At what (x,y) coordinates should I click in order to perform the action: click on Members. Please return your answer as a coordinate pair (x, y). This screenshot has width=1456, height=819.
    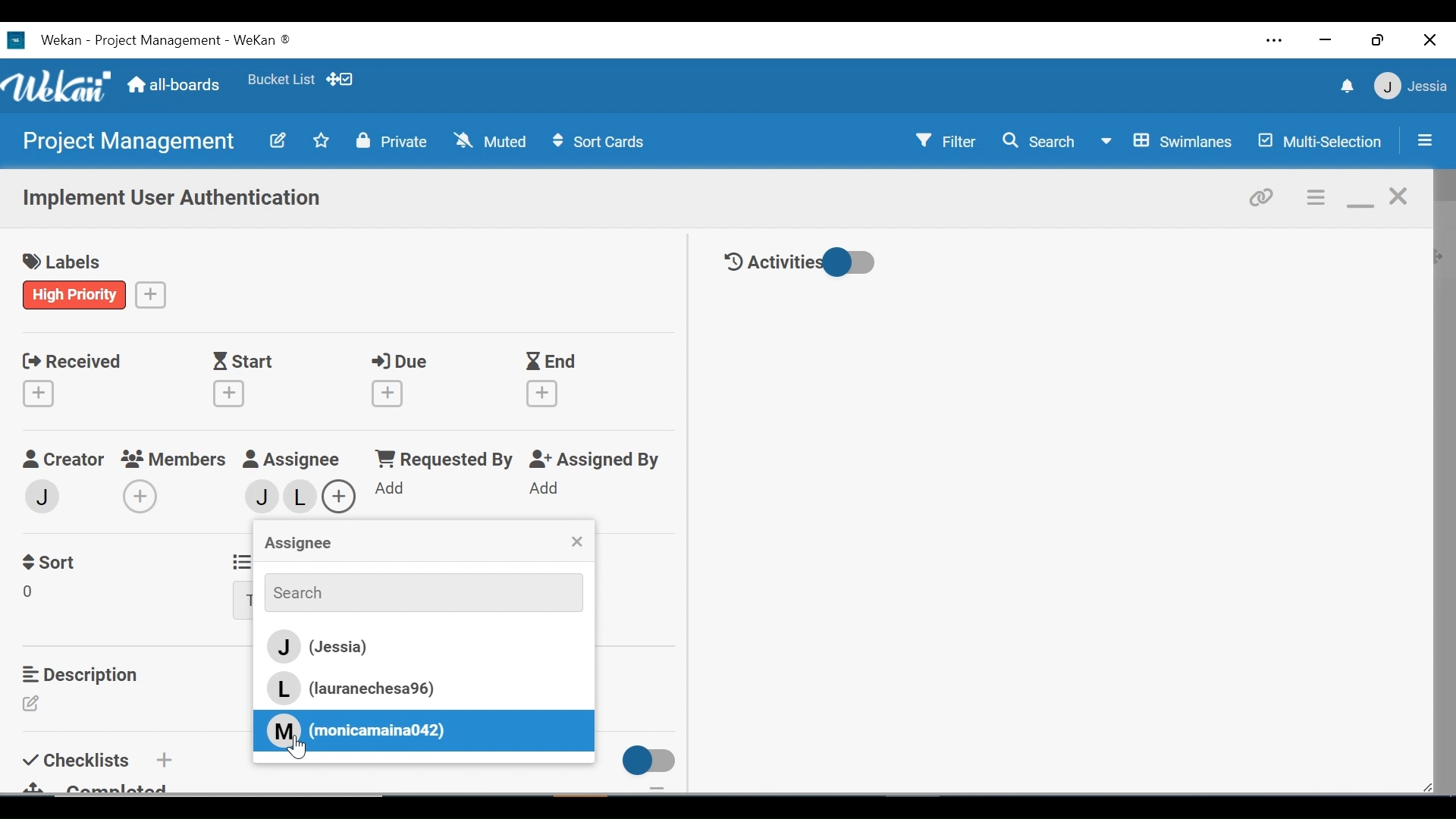
    Looking at the image, I should click on (179, 458).